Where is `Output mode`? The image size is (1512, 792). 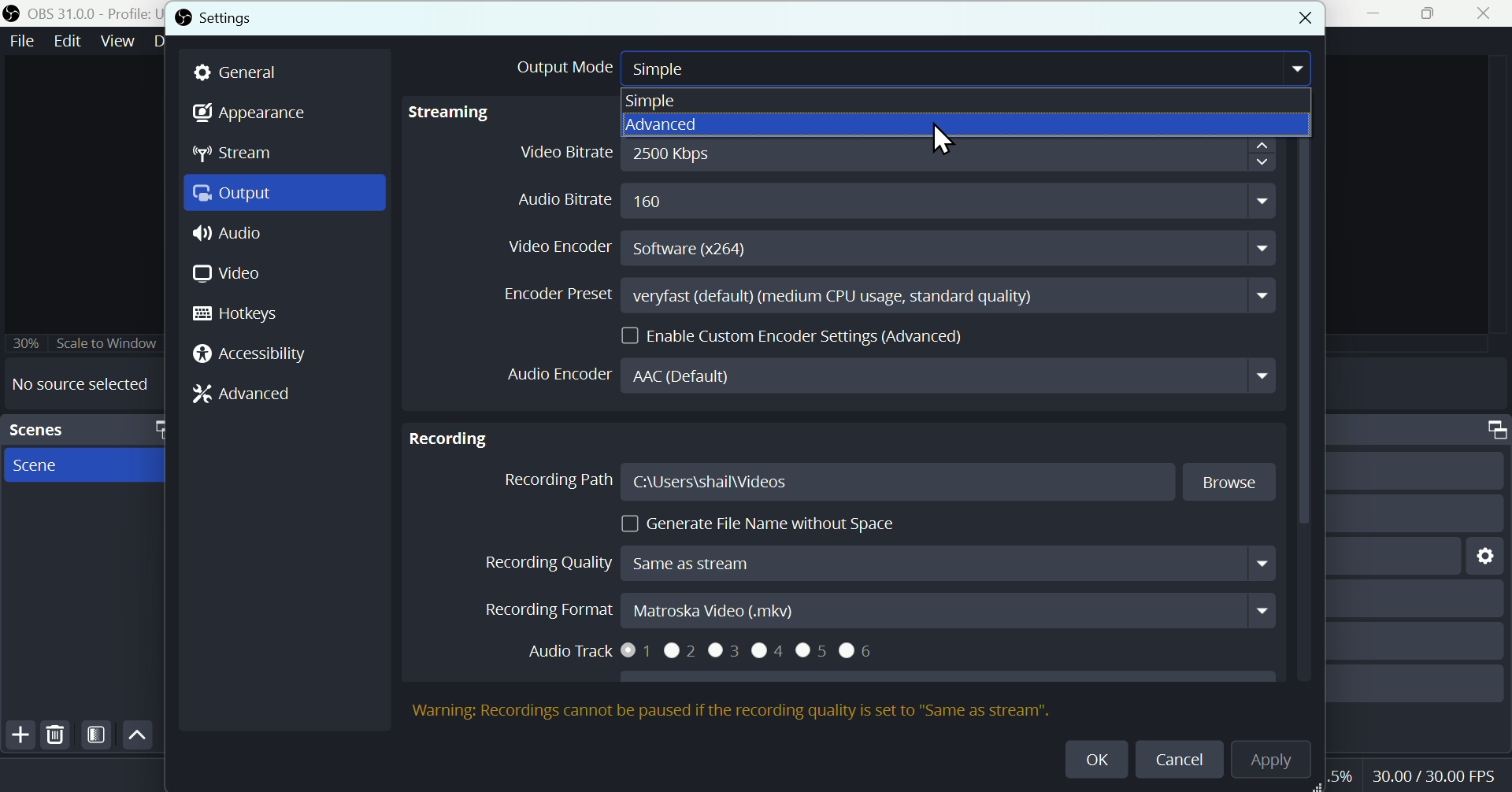 Output mode is located at coordinates (905, 69).